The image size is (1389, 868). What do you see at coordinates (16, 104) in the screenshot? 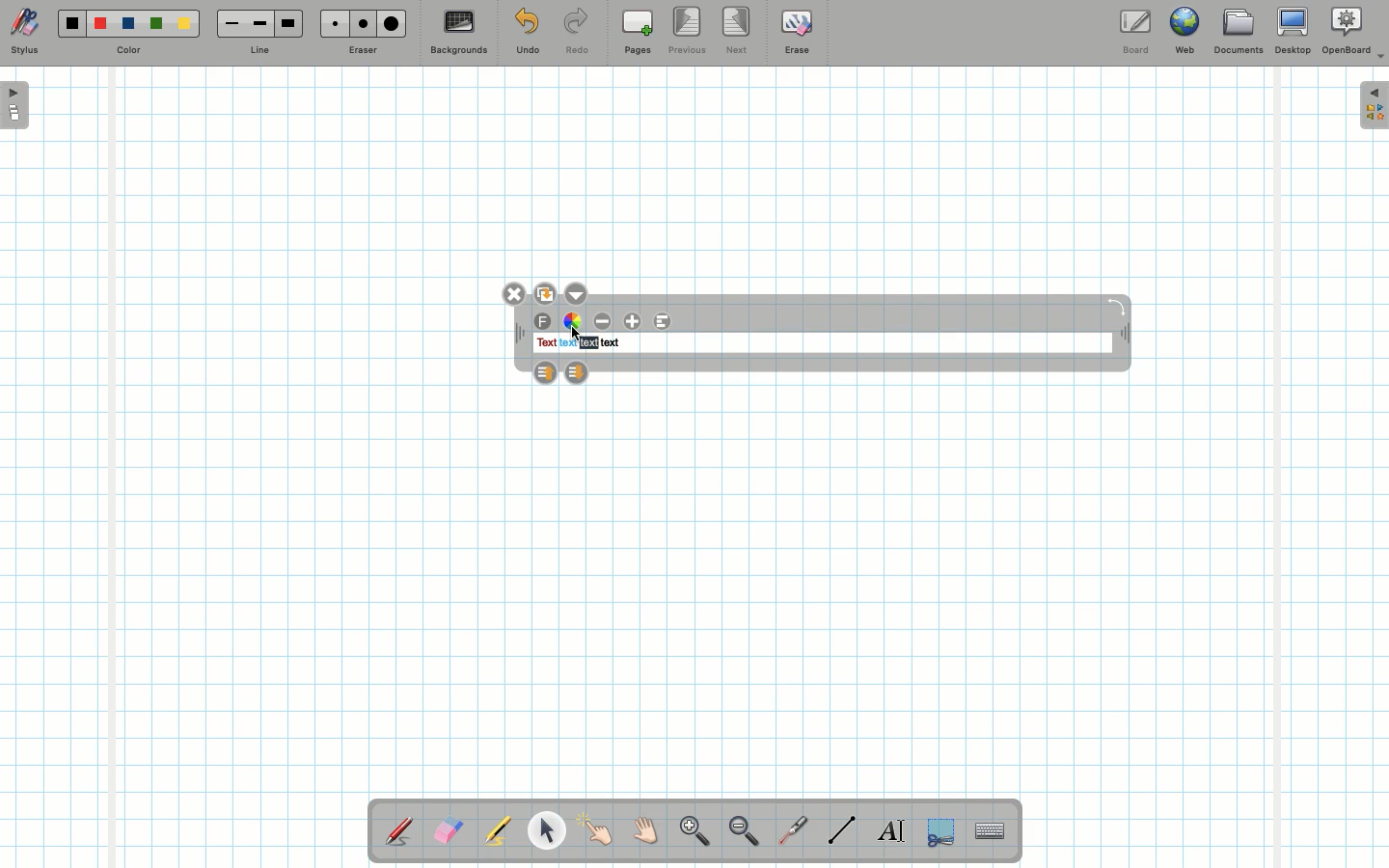
I see `Open pages` at bounding box center [16, 104].